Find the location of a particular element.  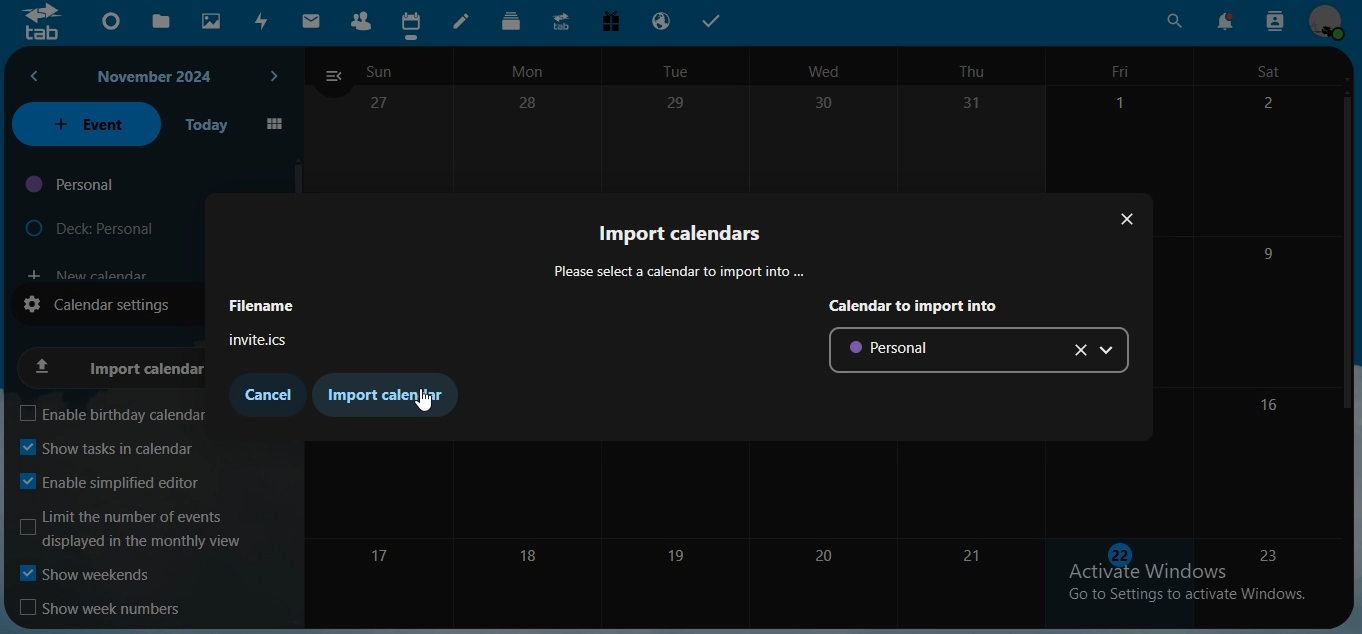

import calendar is located at coordinates (385, 393).